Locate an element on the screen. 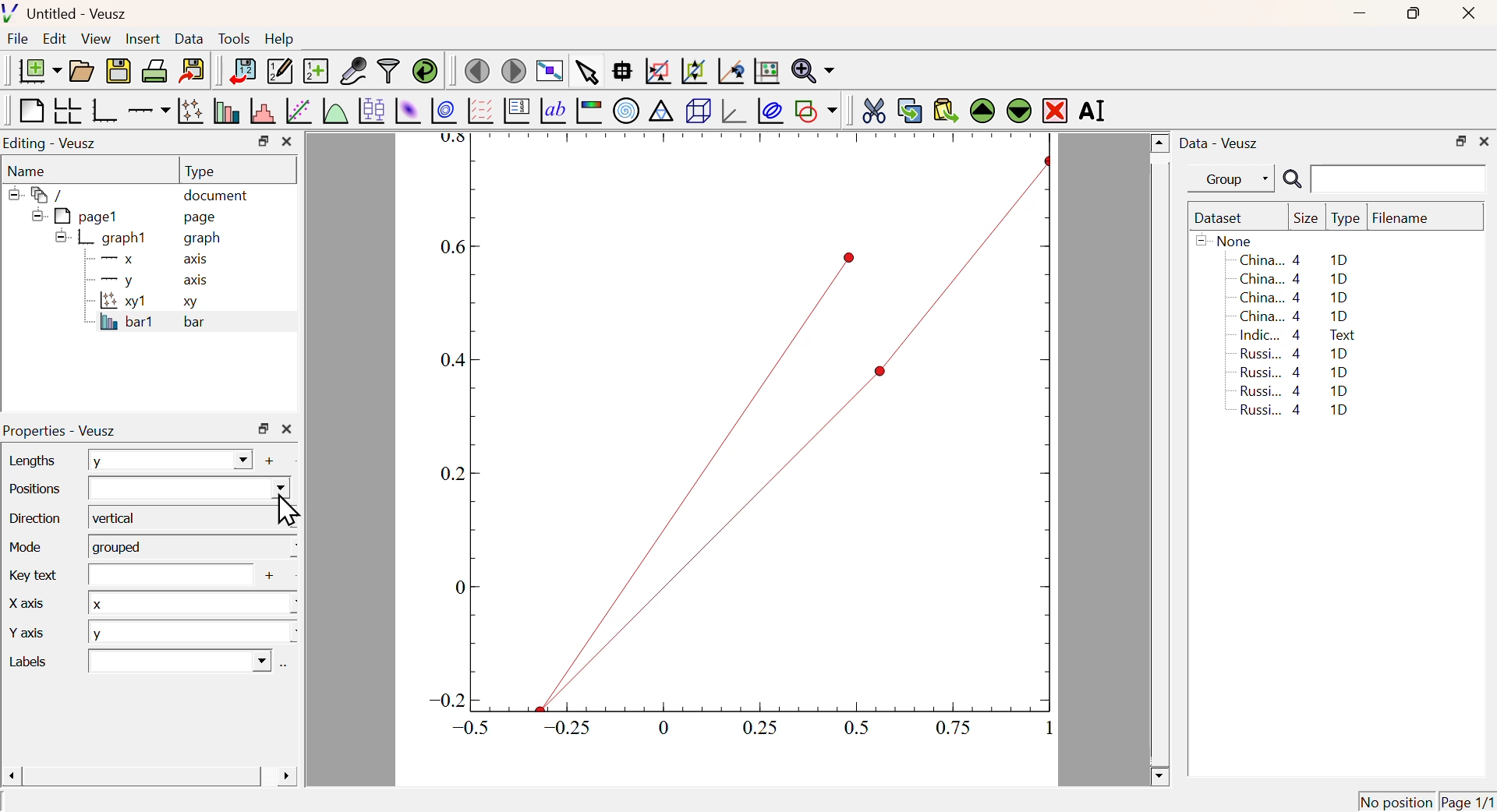  Restore Down is located at coordinates (1411, 13).